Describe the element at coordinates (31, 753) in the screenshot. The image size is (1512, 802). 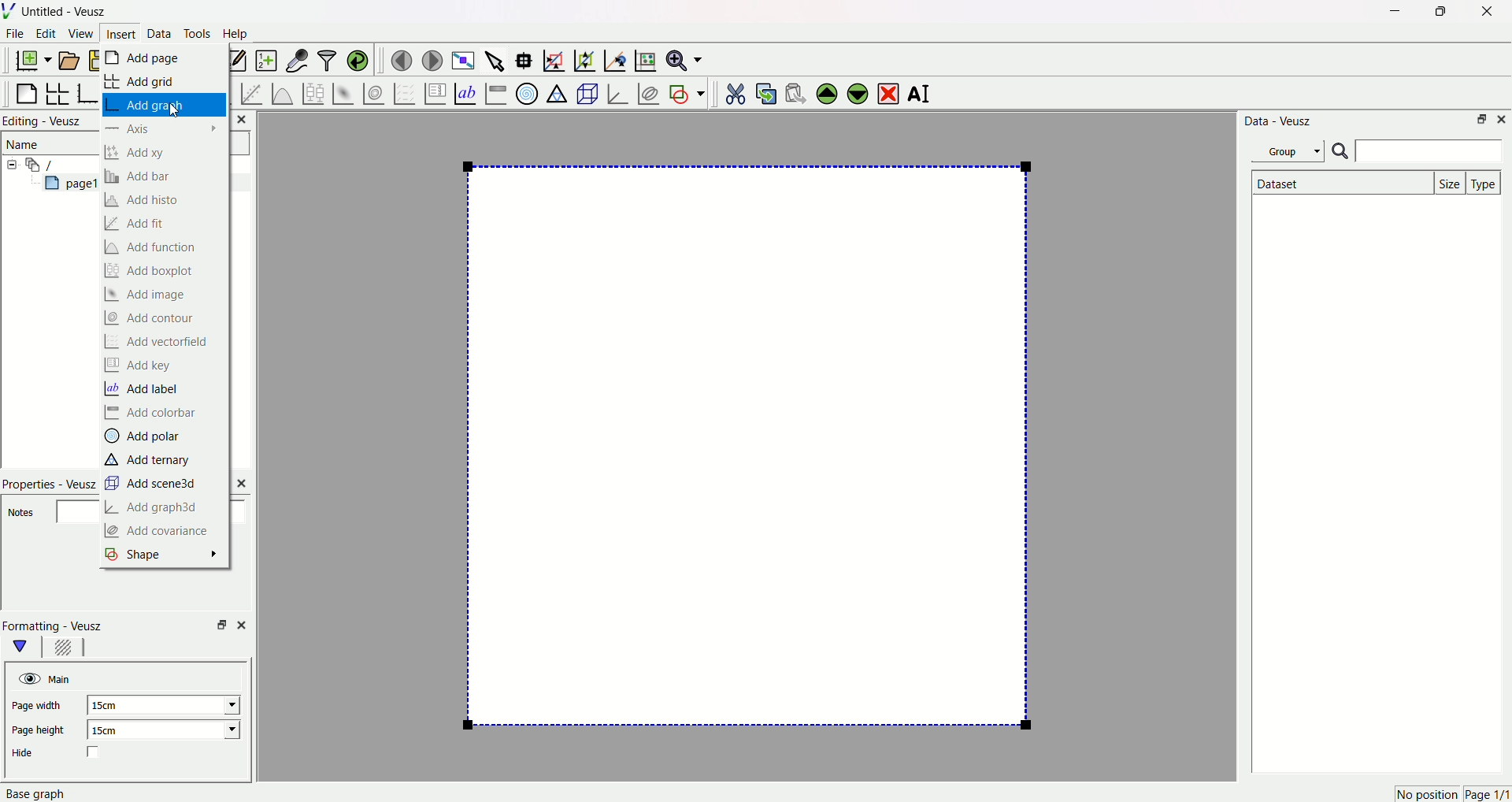
I see `Hide` at that location.